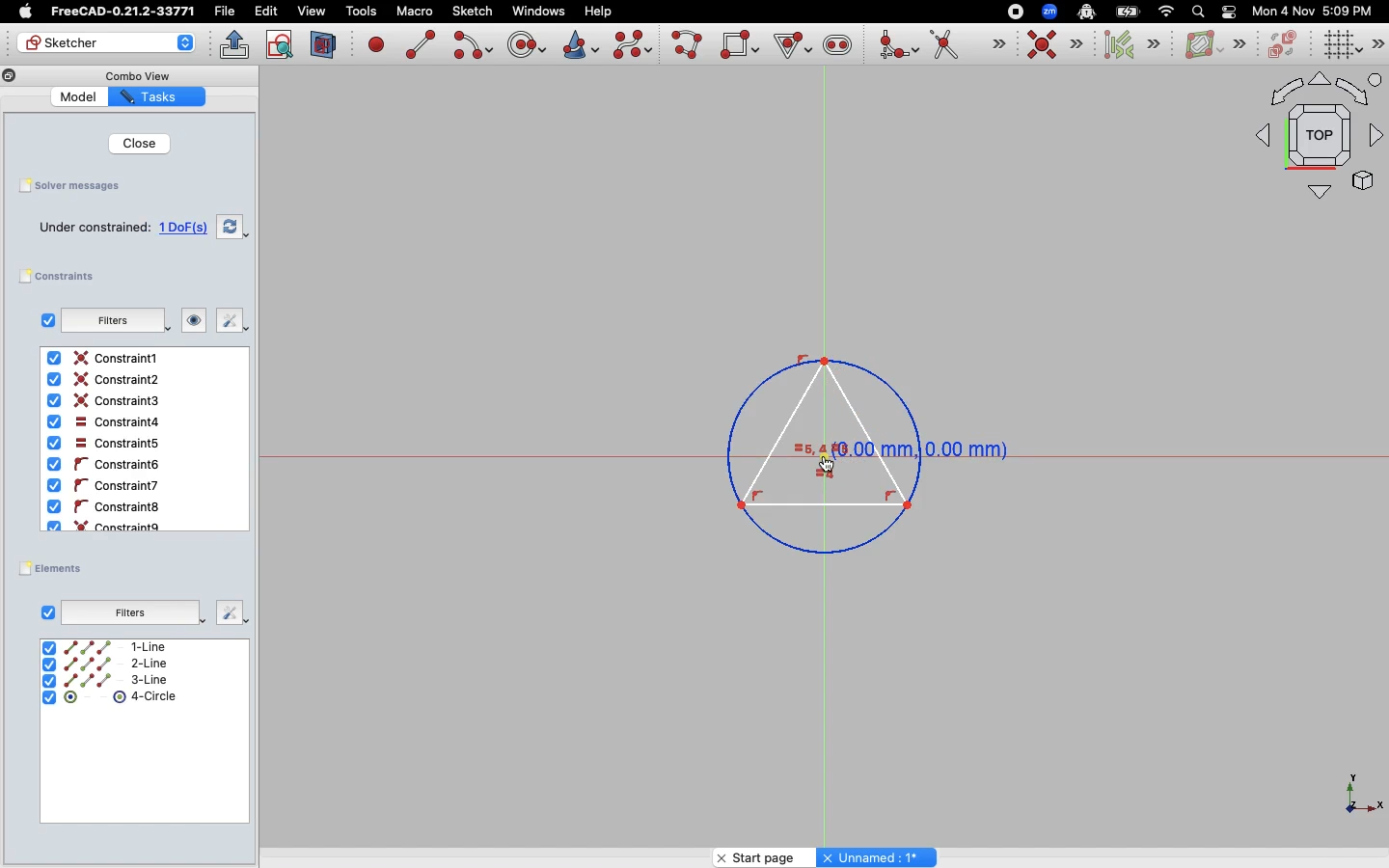 This screenshot has height=868, width=1389. Describe the element at coordinates (43, 320) in the screenshot. I see `Checkbox` at that location.